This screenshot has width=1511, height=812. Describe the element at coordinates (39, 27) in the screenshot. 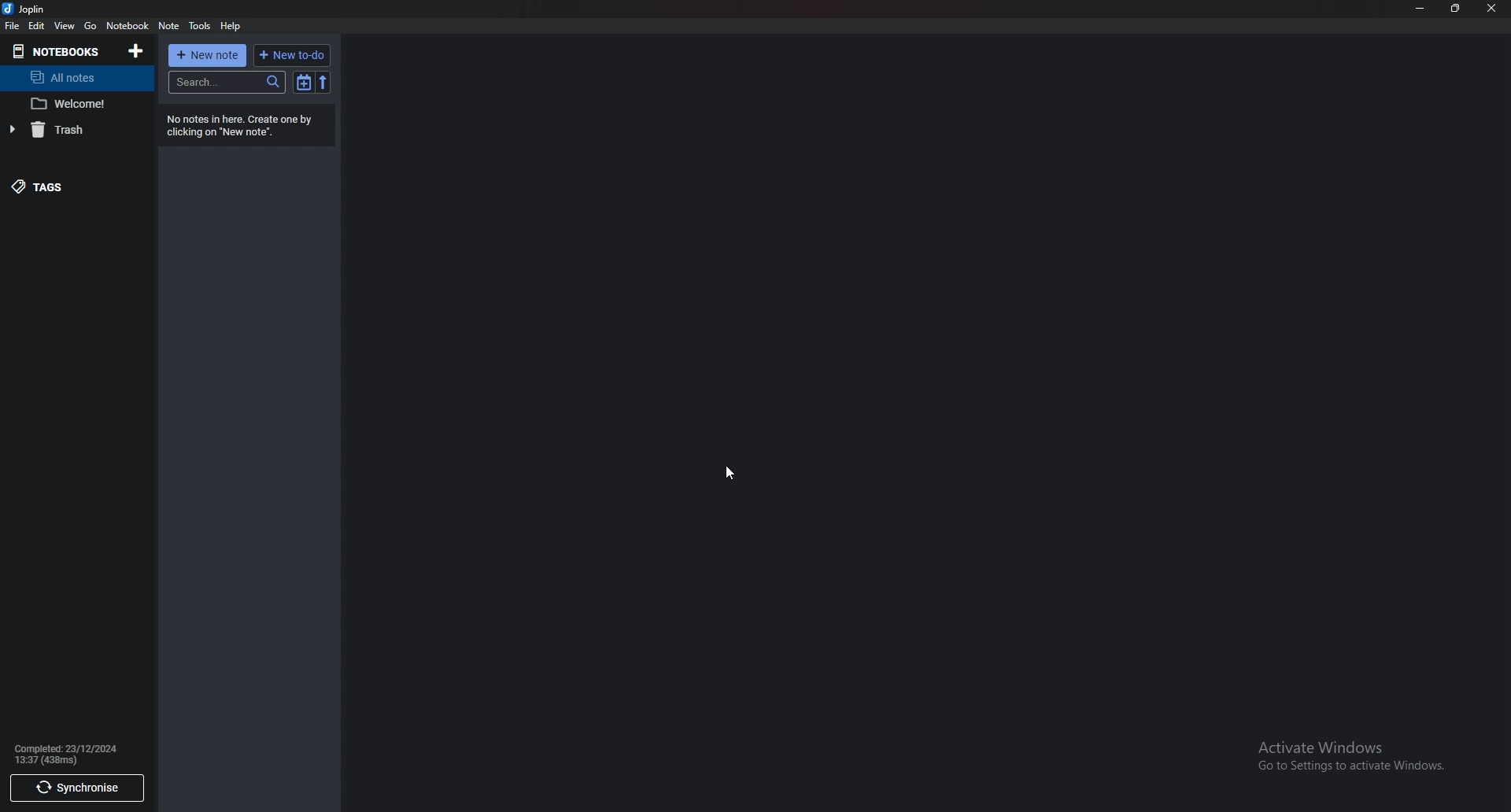

I see `Edit` at that location.